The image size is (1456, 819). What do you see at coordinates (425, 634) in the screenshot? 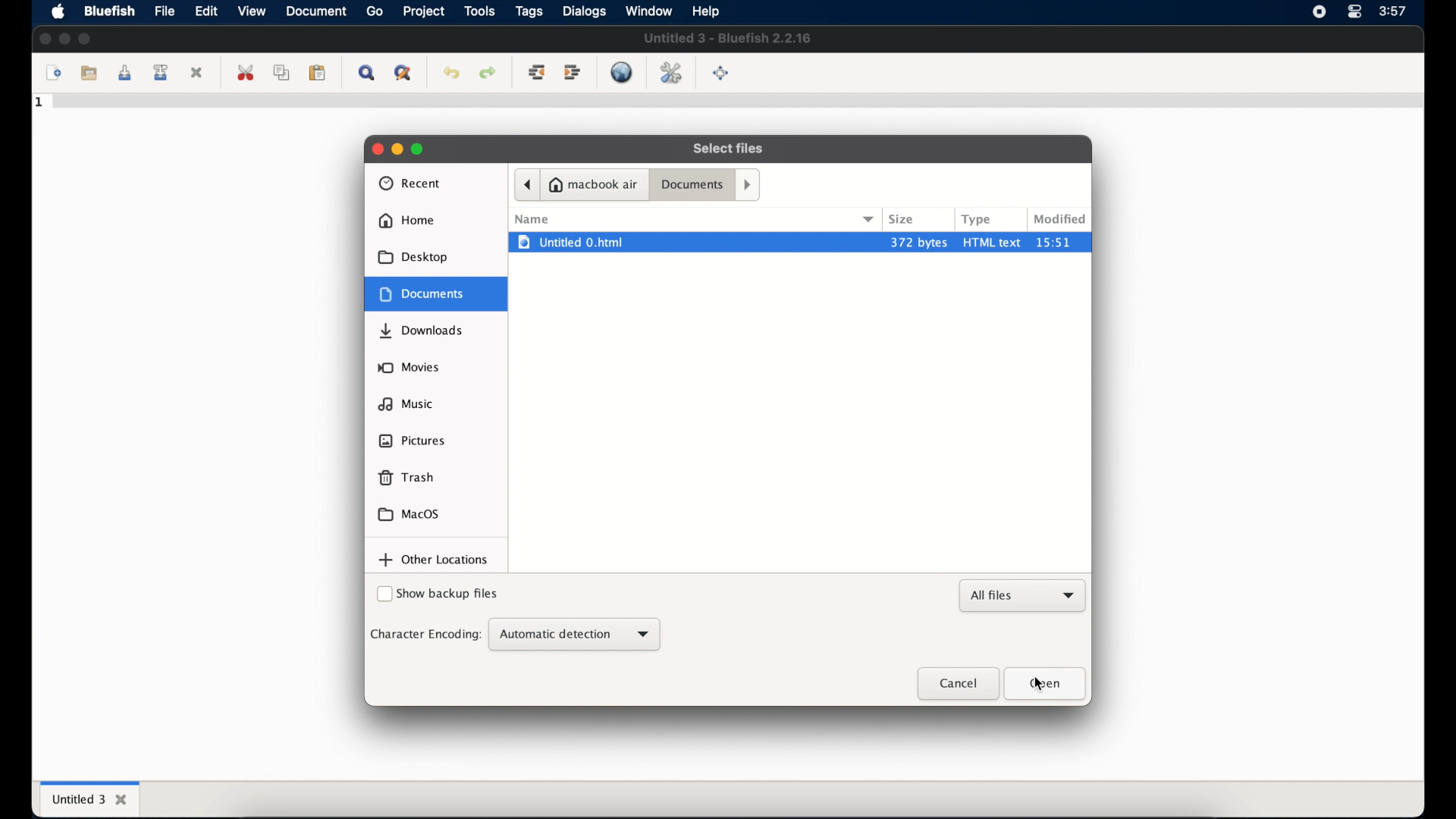
I see `character encoding` at bounding box center [425, 634].